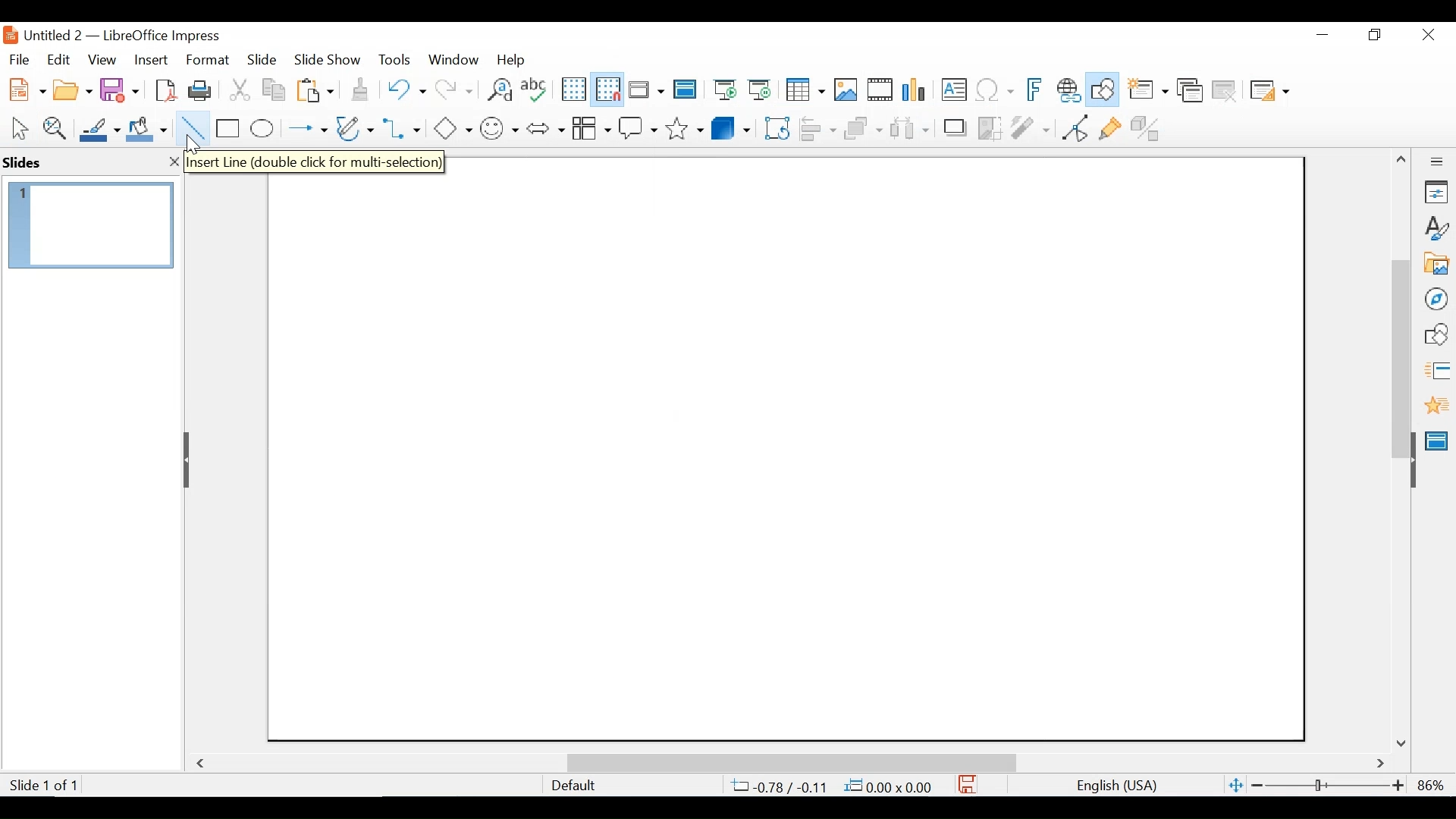  I want to click on Ellipse, so click(262, 129).